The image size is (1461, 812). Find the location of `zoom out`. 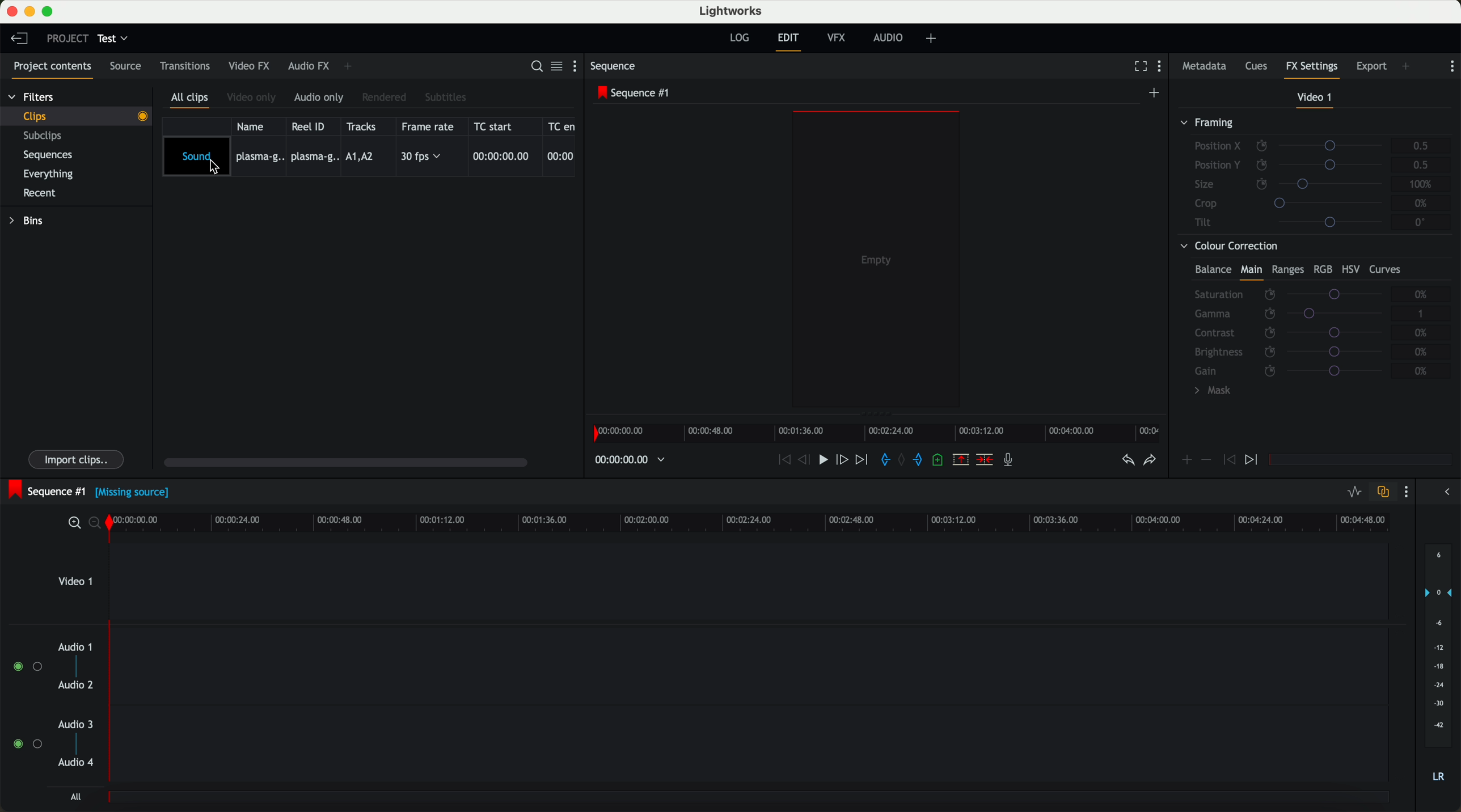

zoom out is located at coordinates (98, 525).